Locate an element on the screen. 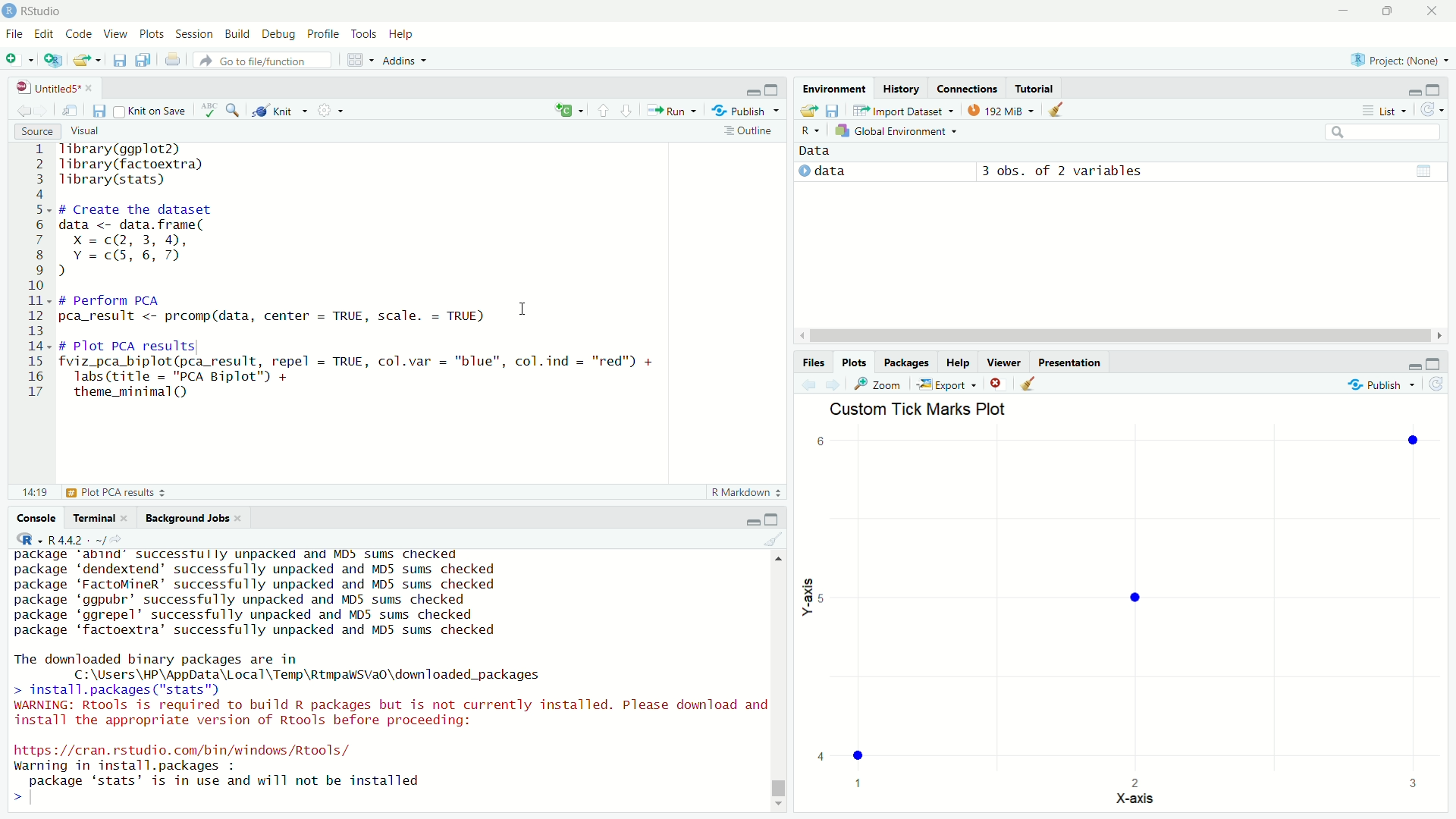 This screenshot has width=1456, height=819. Session is located at coordinates (196, 35).